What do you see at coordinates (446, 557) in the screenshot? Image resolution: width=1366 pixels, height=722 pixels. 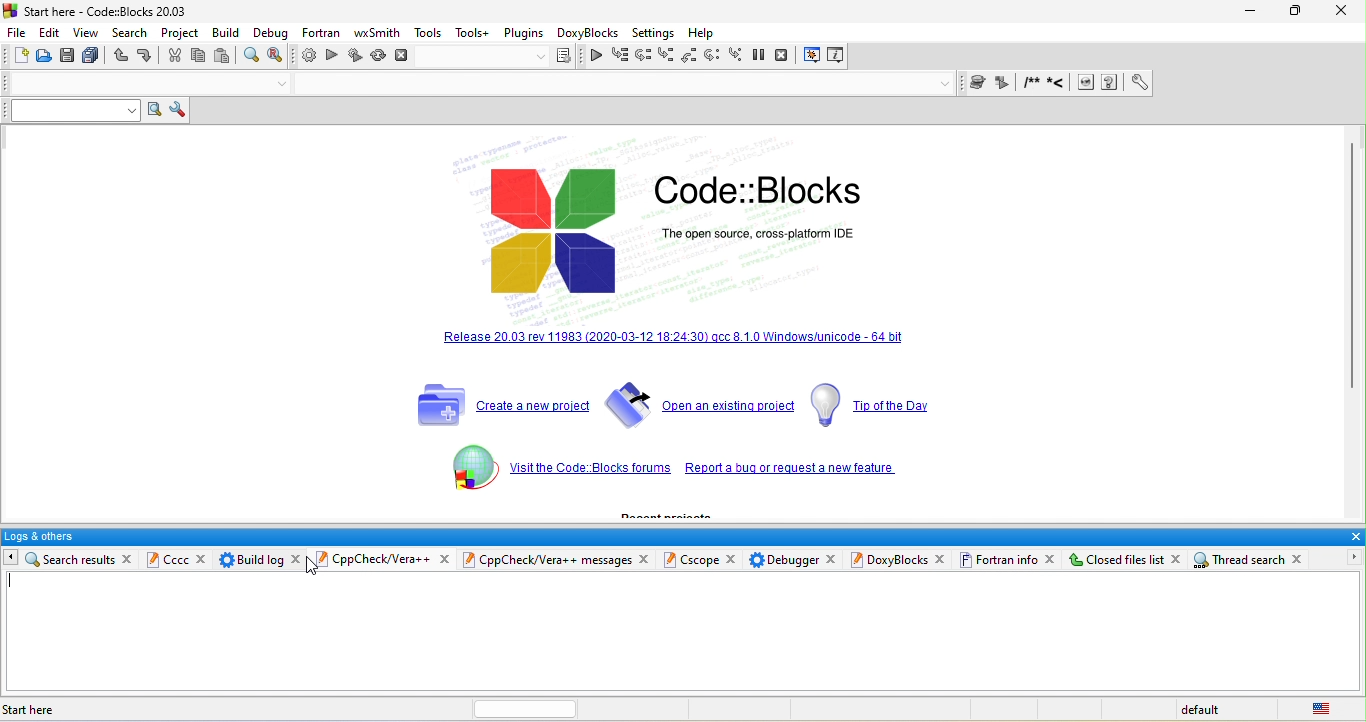 I see `close` at bounding box center [446, 557].